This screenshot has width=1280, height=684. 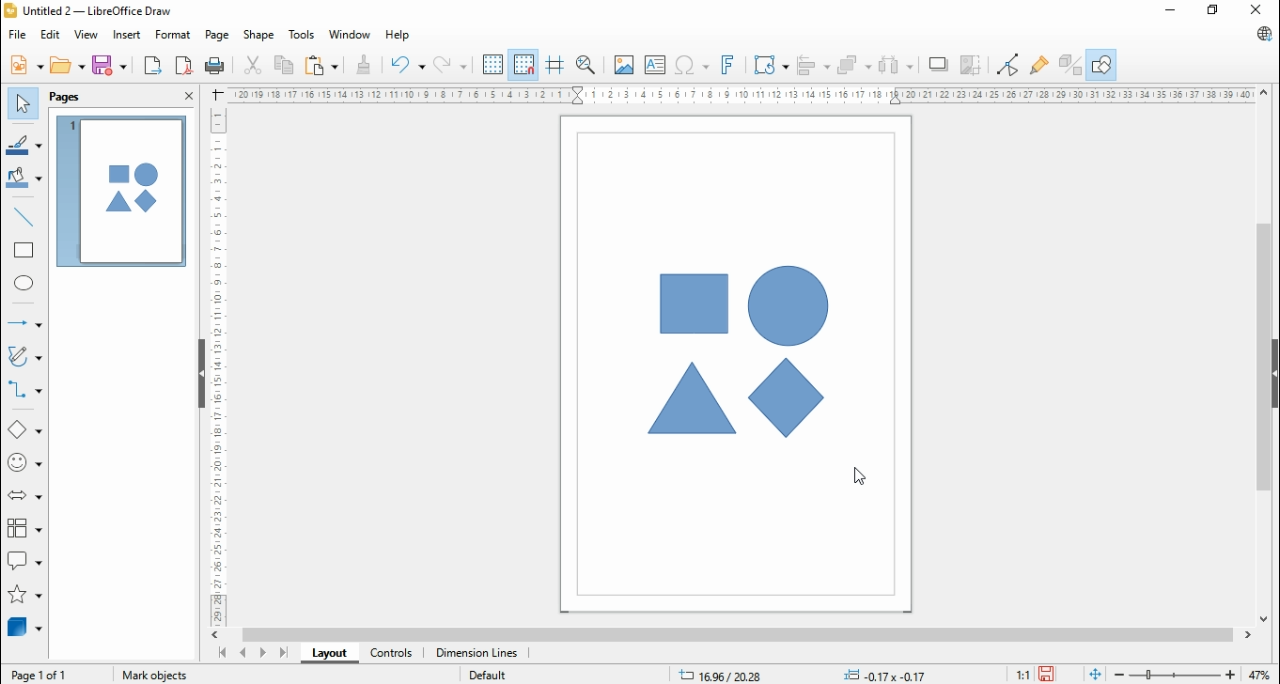 I want to click on flowchart, so click(x=24, y=528).